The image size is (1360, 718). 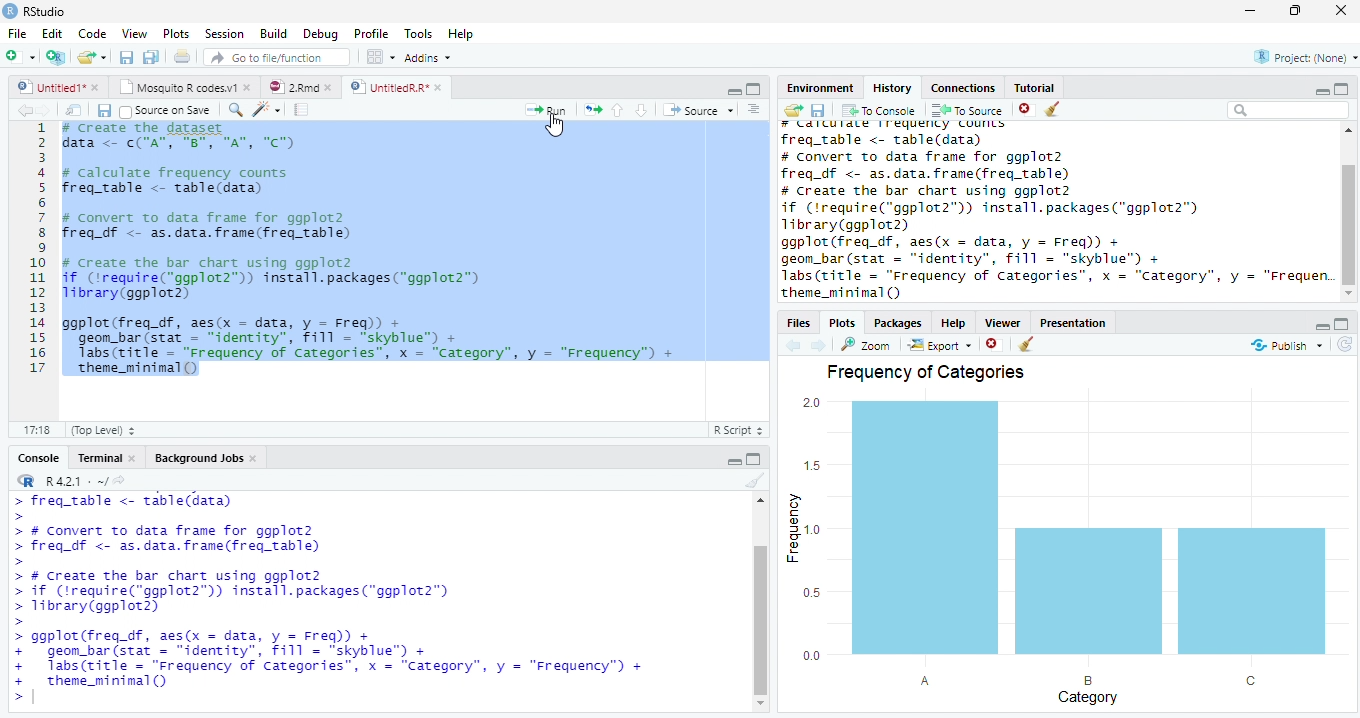 I want to click on To source, so click(x=969, y=110).